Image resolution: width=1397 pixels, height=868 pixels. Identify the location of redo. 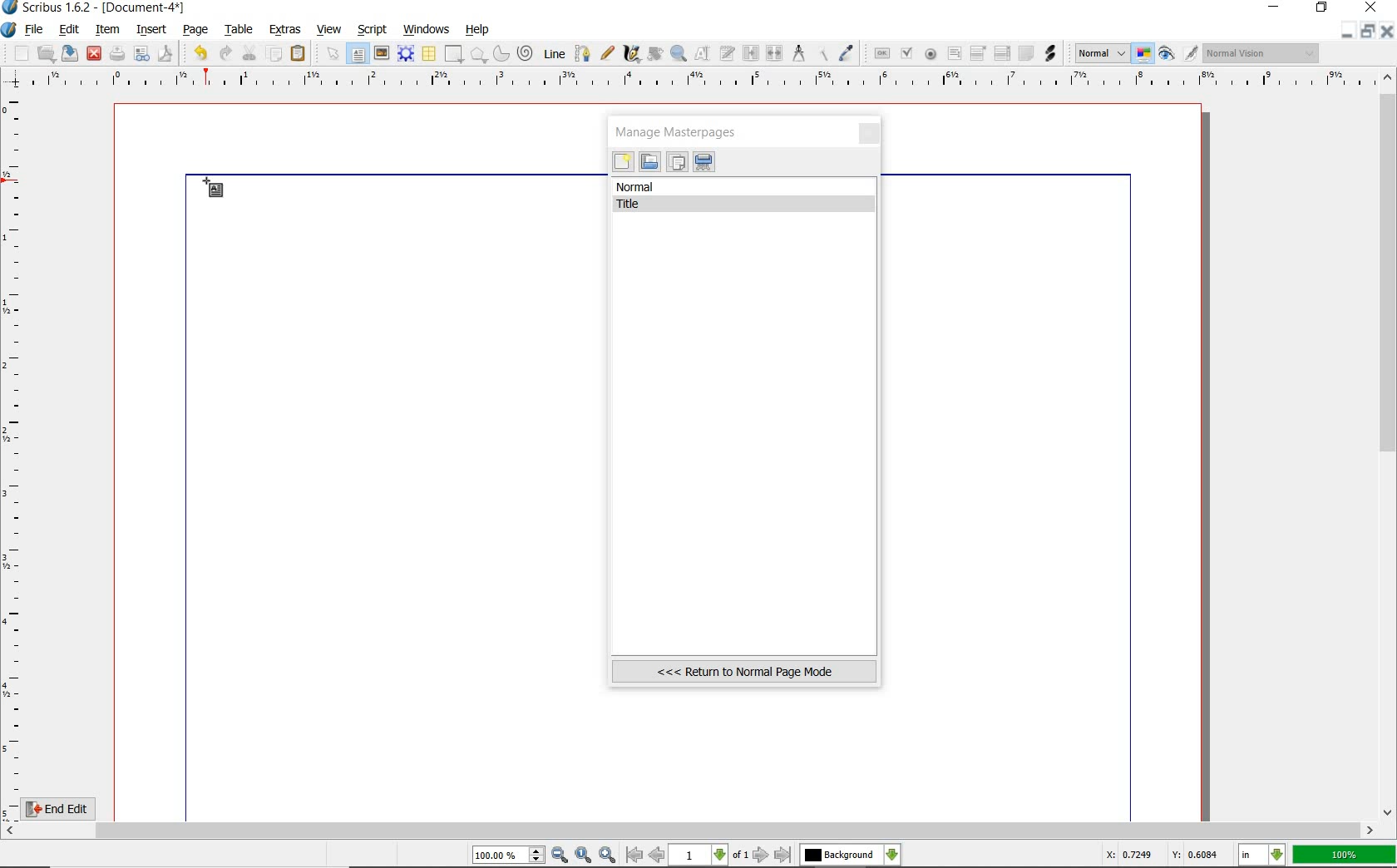
(225, 52).